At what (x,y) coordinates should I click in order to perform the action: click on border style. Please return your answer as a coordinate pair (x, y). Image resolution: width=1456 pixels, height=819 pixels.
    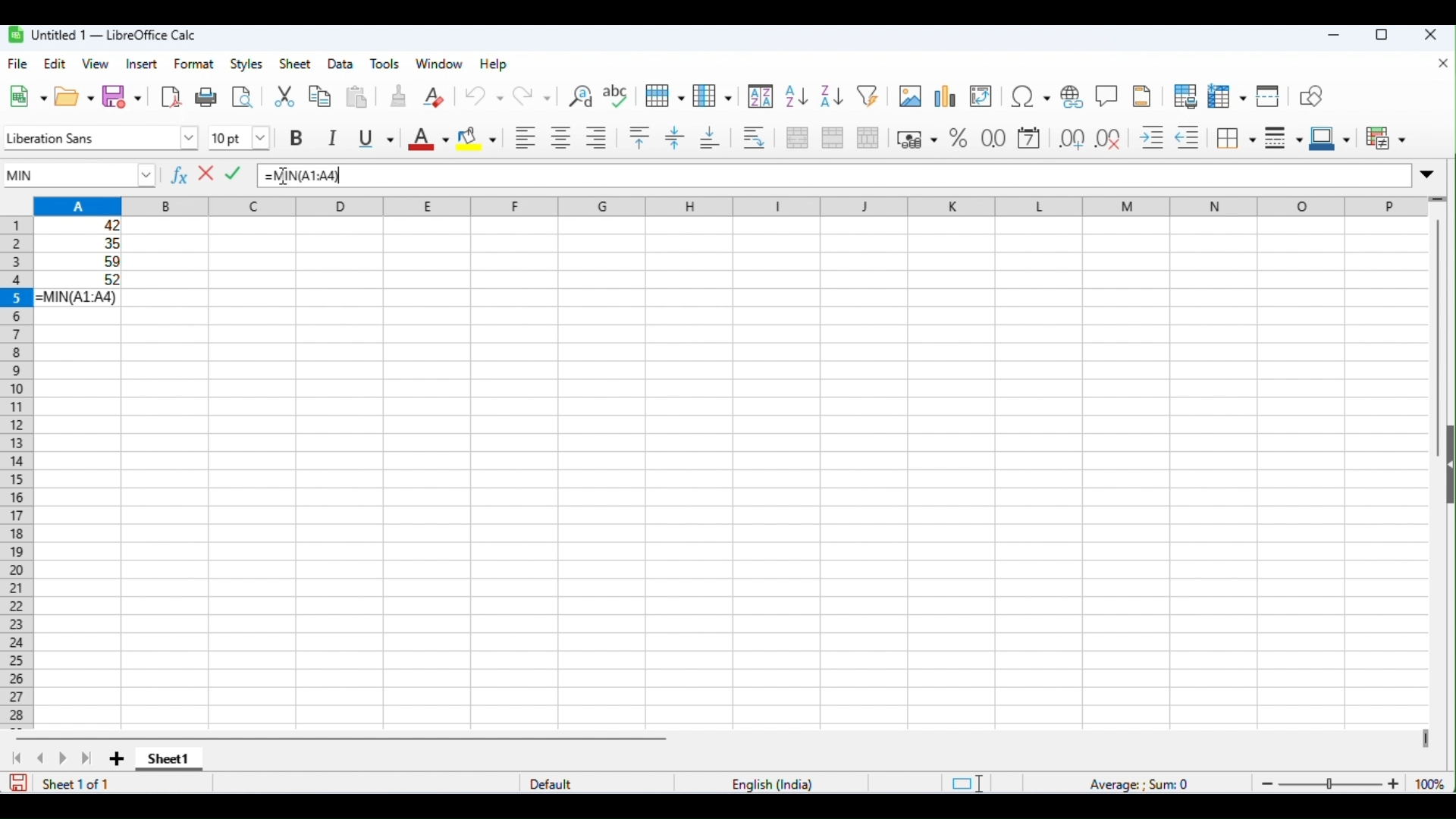
    Looking at the image, I should click on (1280, 140).